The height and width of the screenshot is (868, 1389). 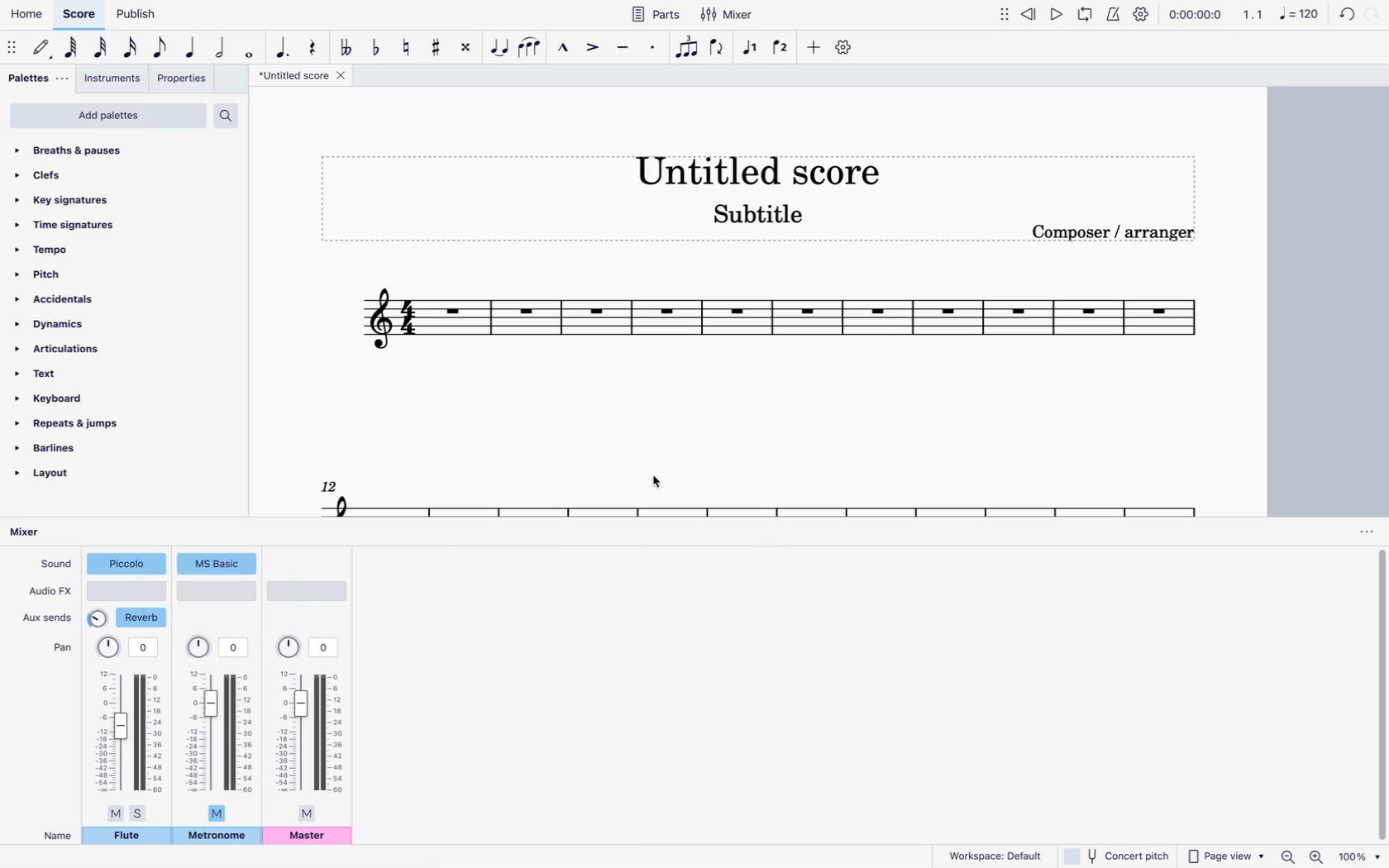 I want to click on scale, so click(x=757, y=497).